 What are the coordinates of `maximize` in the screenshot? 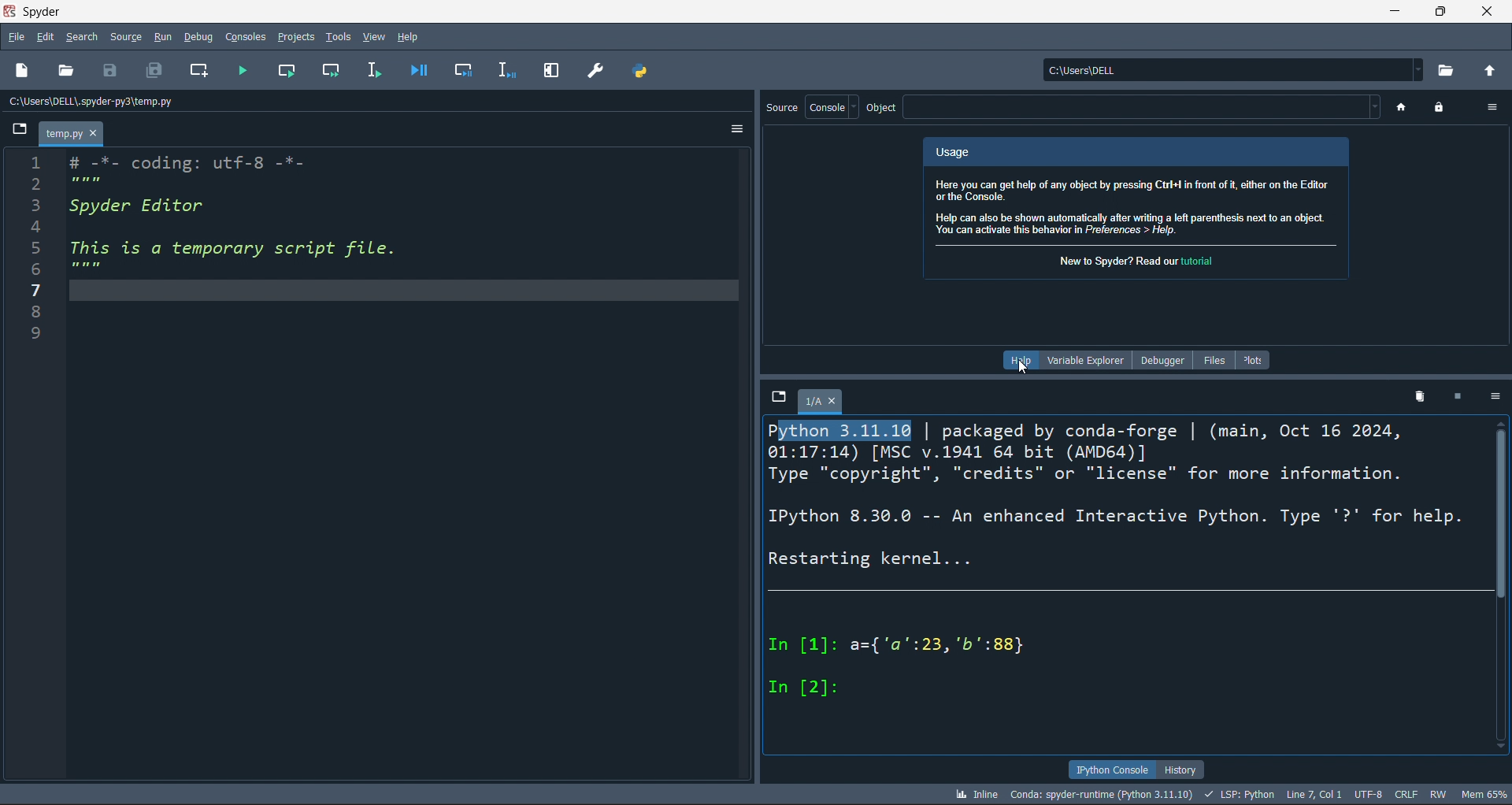 It's located at (1441, 12).